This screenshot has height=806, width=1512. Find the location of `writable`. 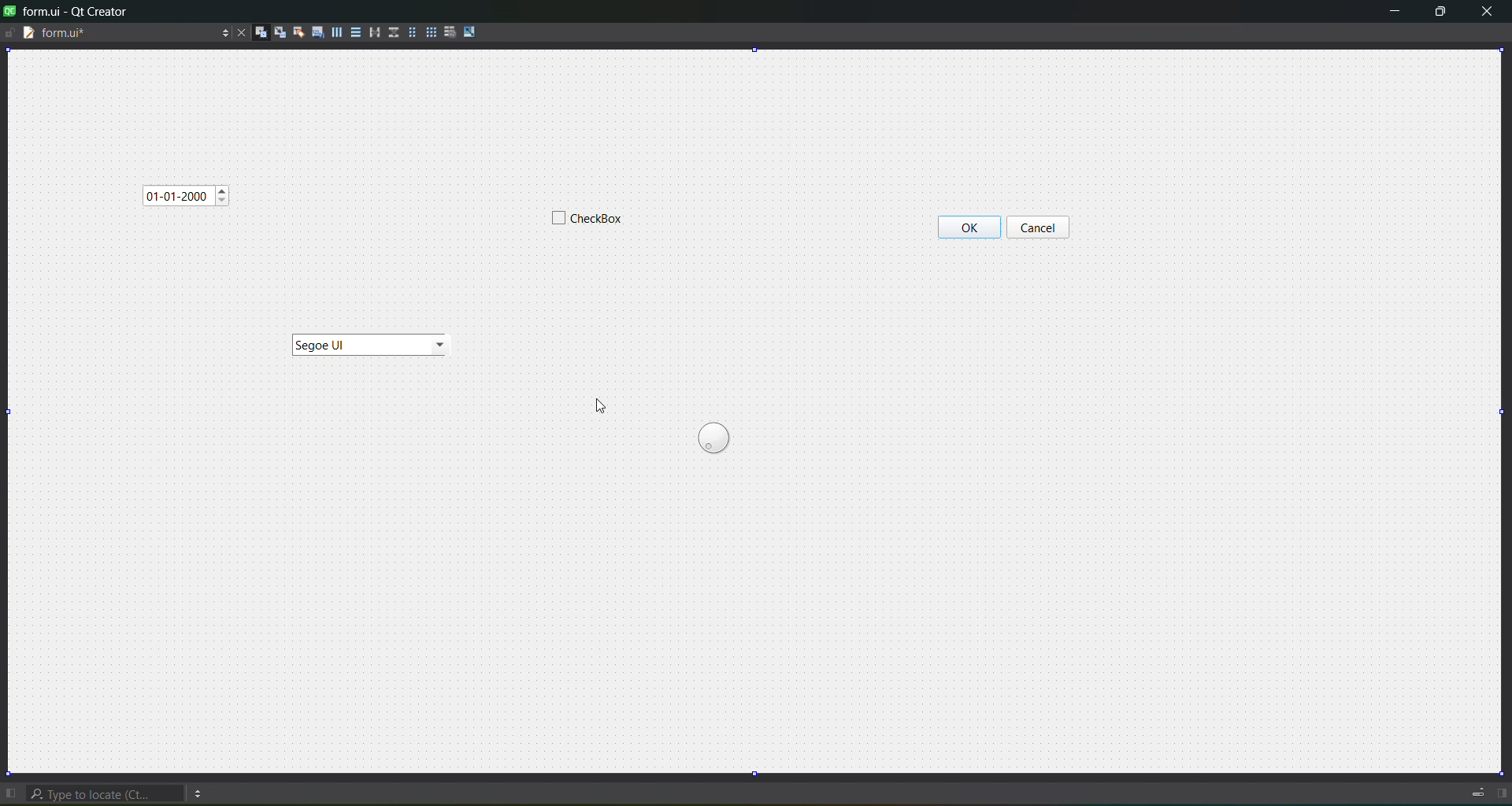

writable is located at coordinates (12, 35).